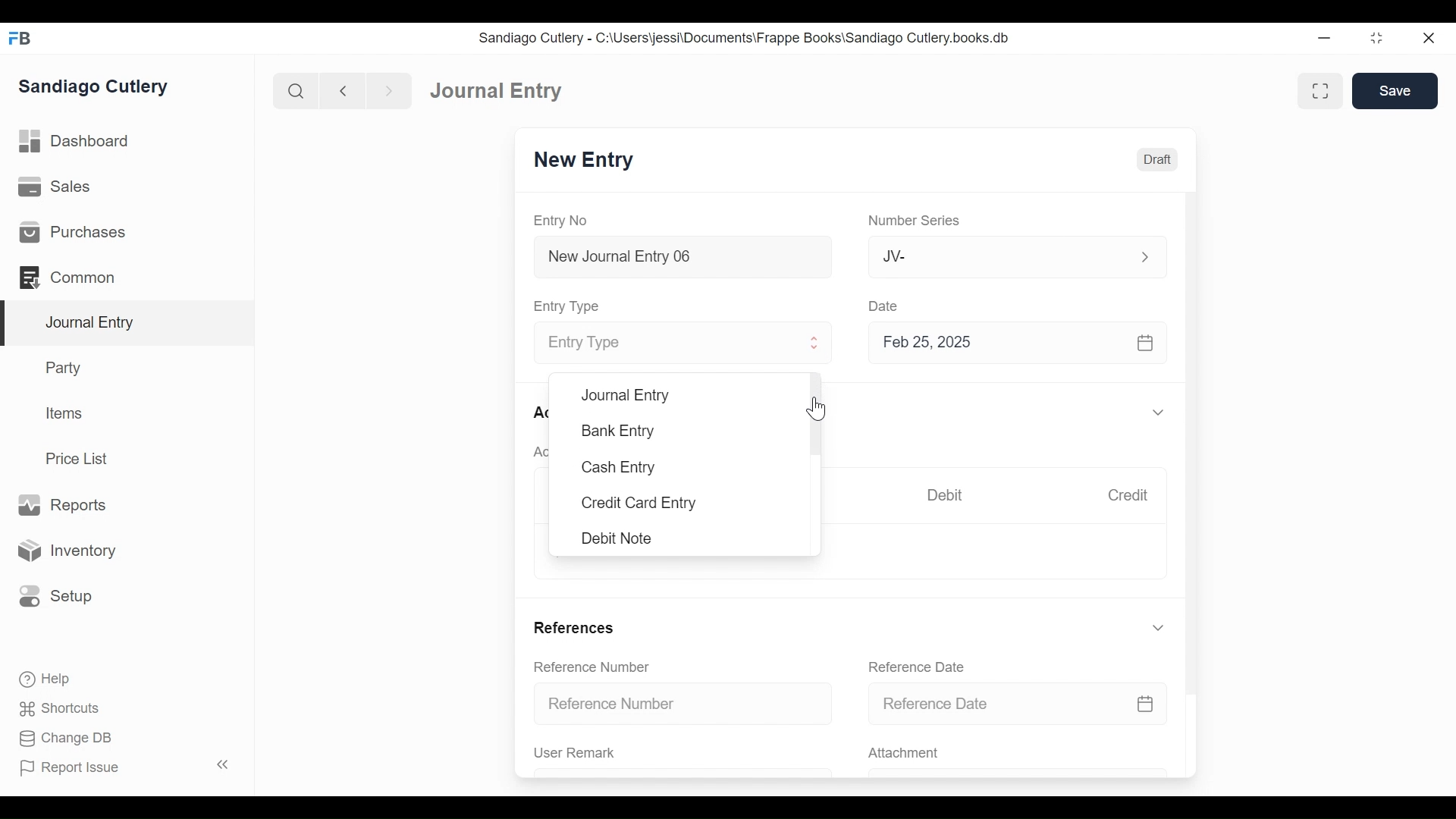  Describe the element at coordinates (297, 91) in the screenshot. I see `Search` at that location.